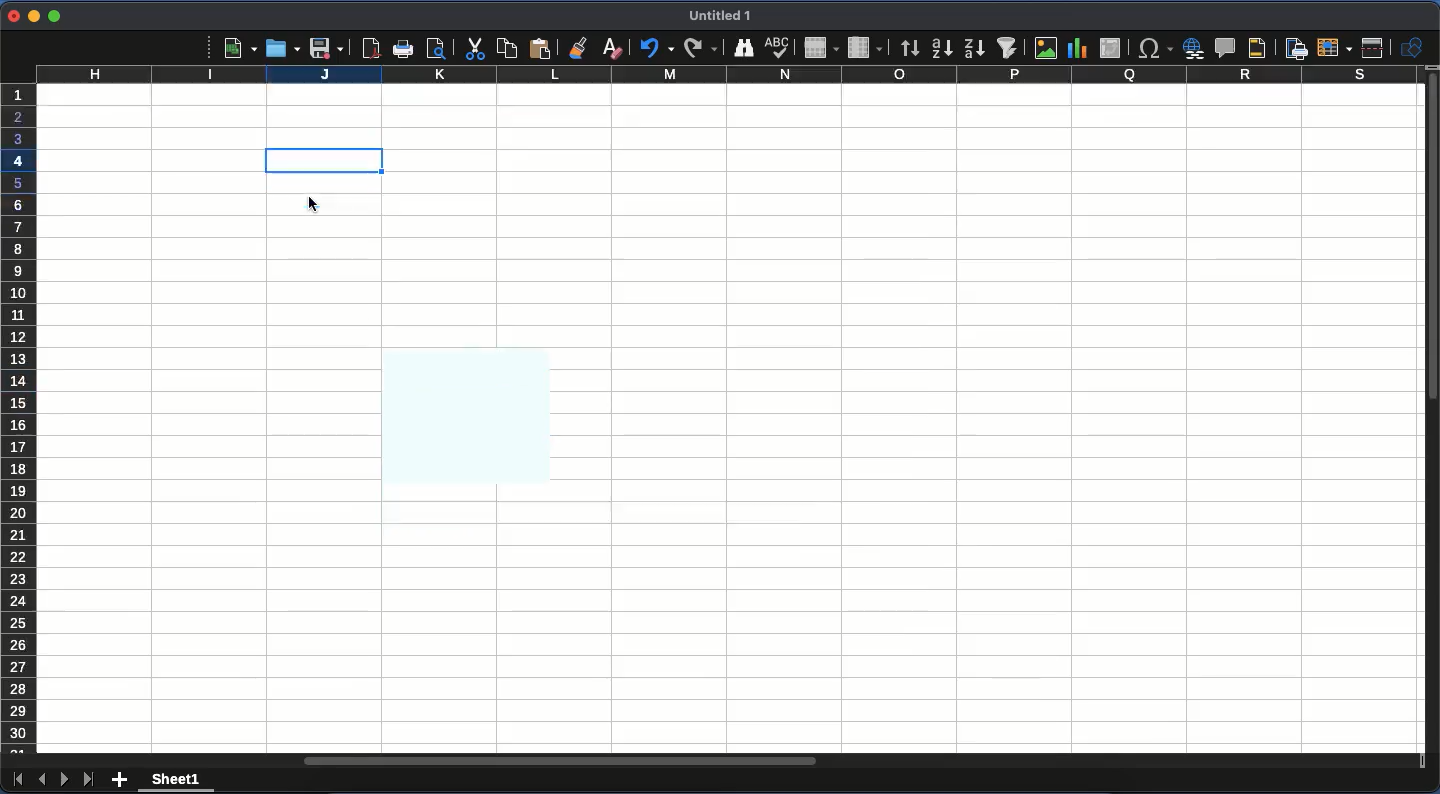 The height and width of the screenshot is (794, 1440). Describe the element at coordinates (371, 48) in the screenshot. I see `pdf` at that location.